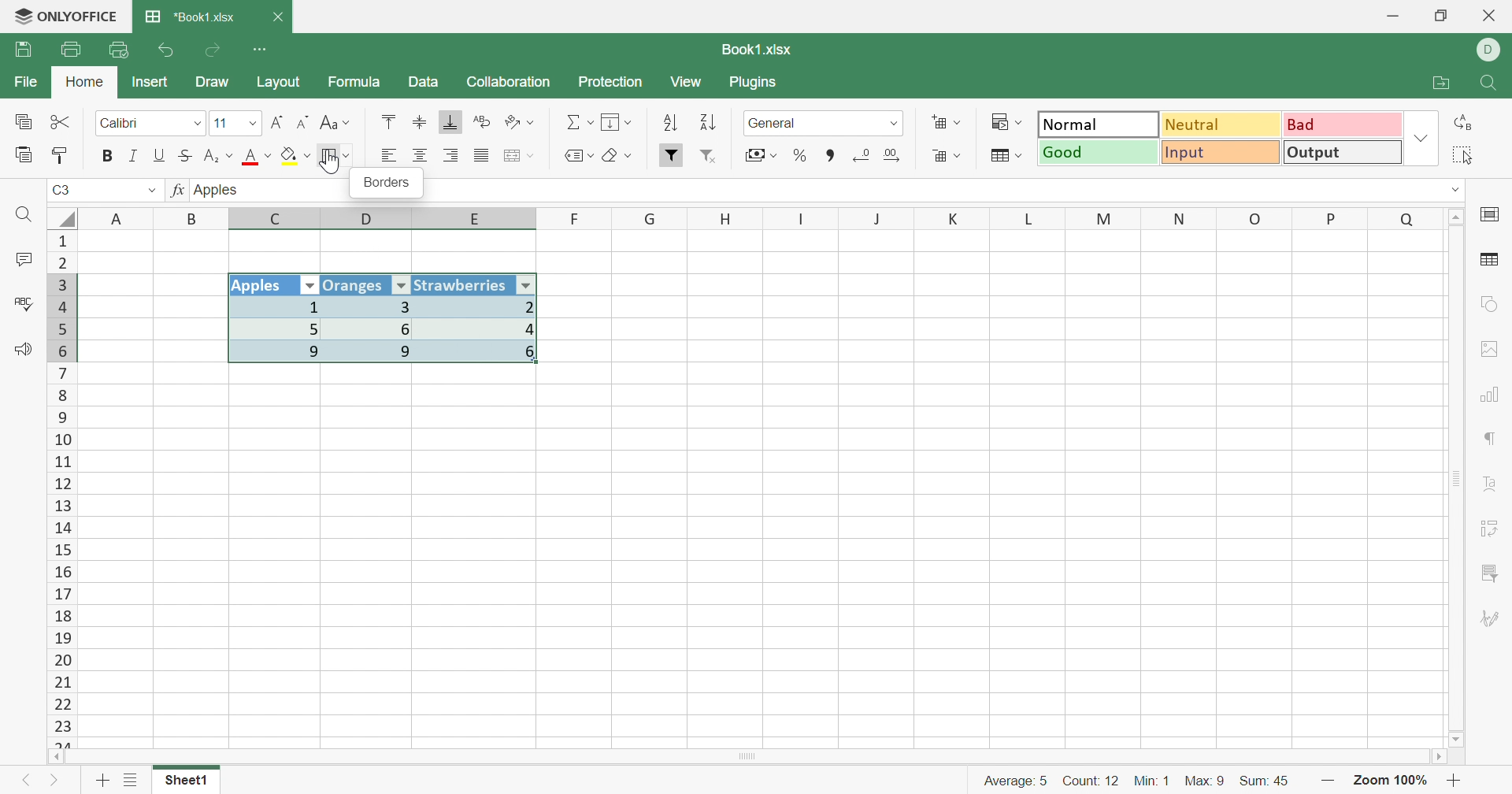 This screenshot has height=794, width=1512. What do you see at coordinates (726, 218) in the screenshot?
I see `H` at bounding box center [726, 218].